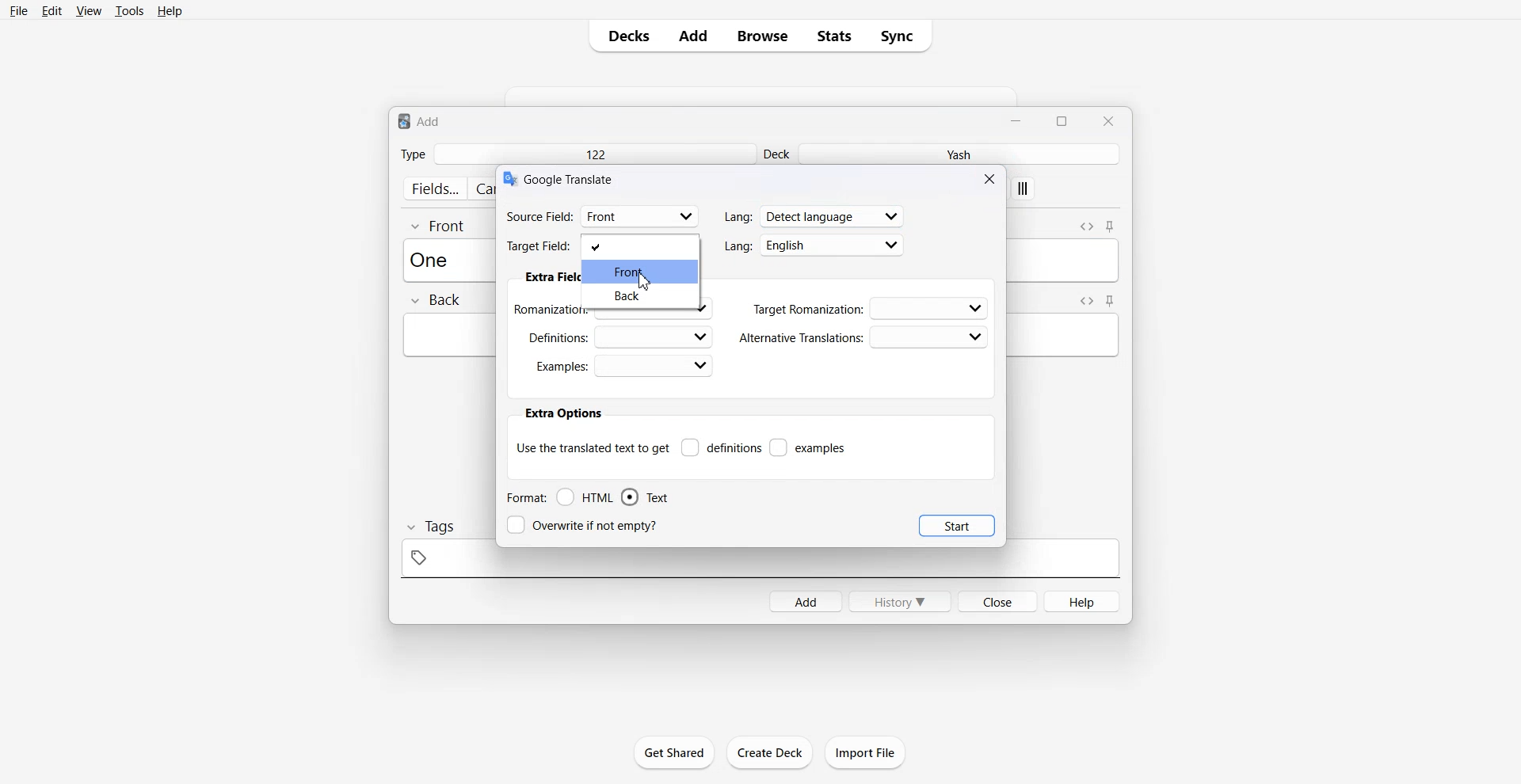 The image size is (1521, 784). I want to click on Alternative Translations, so click(863, 337).